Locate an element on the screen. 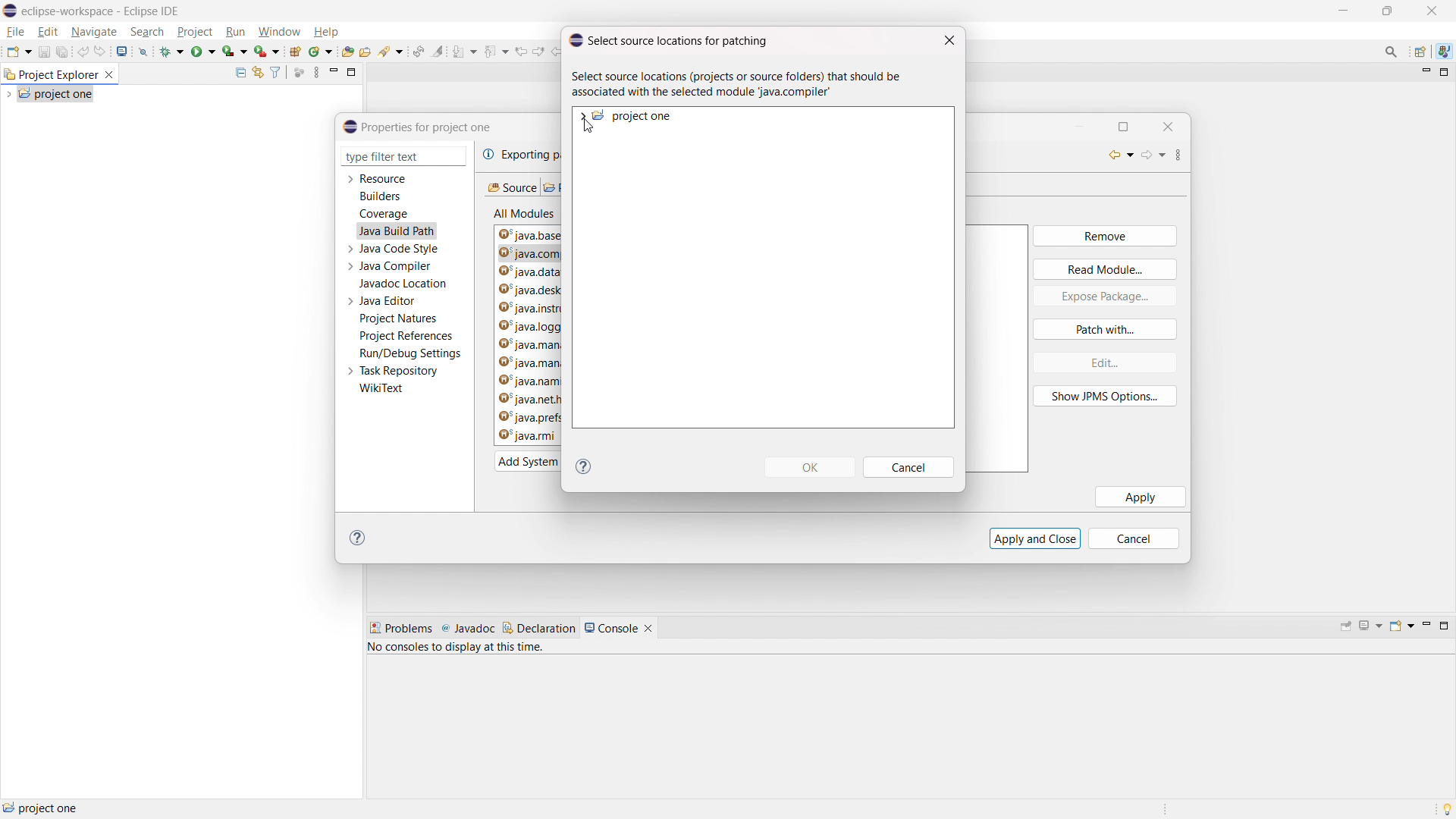  java is located at coordinates (1444, 52).